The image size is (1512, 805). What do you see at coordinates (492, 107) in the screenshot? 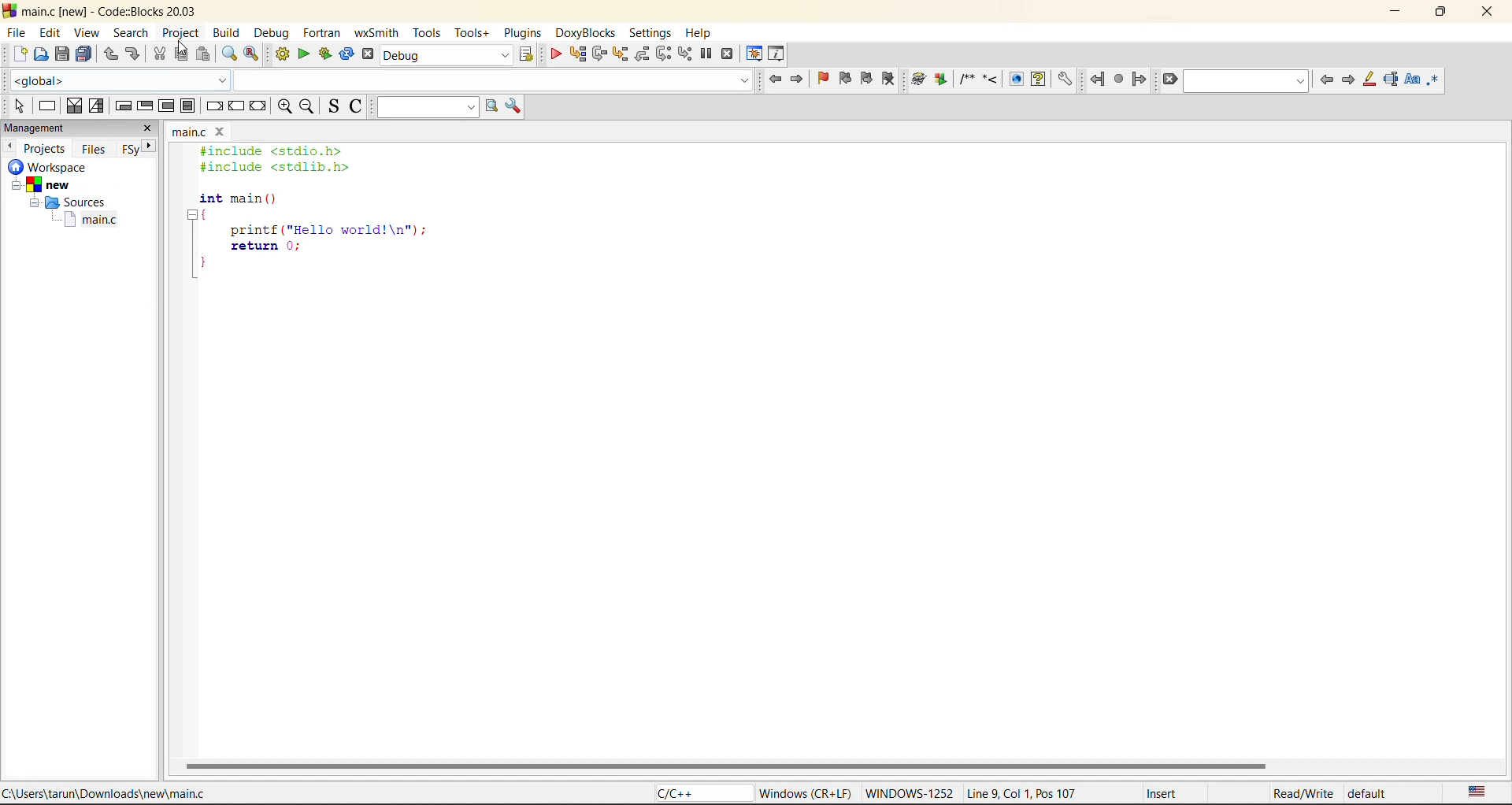
I see `run search` at bounding box center [492, 107].